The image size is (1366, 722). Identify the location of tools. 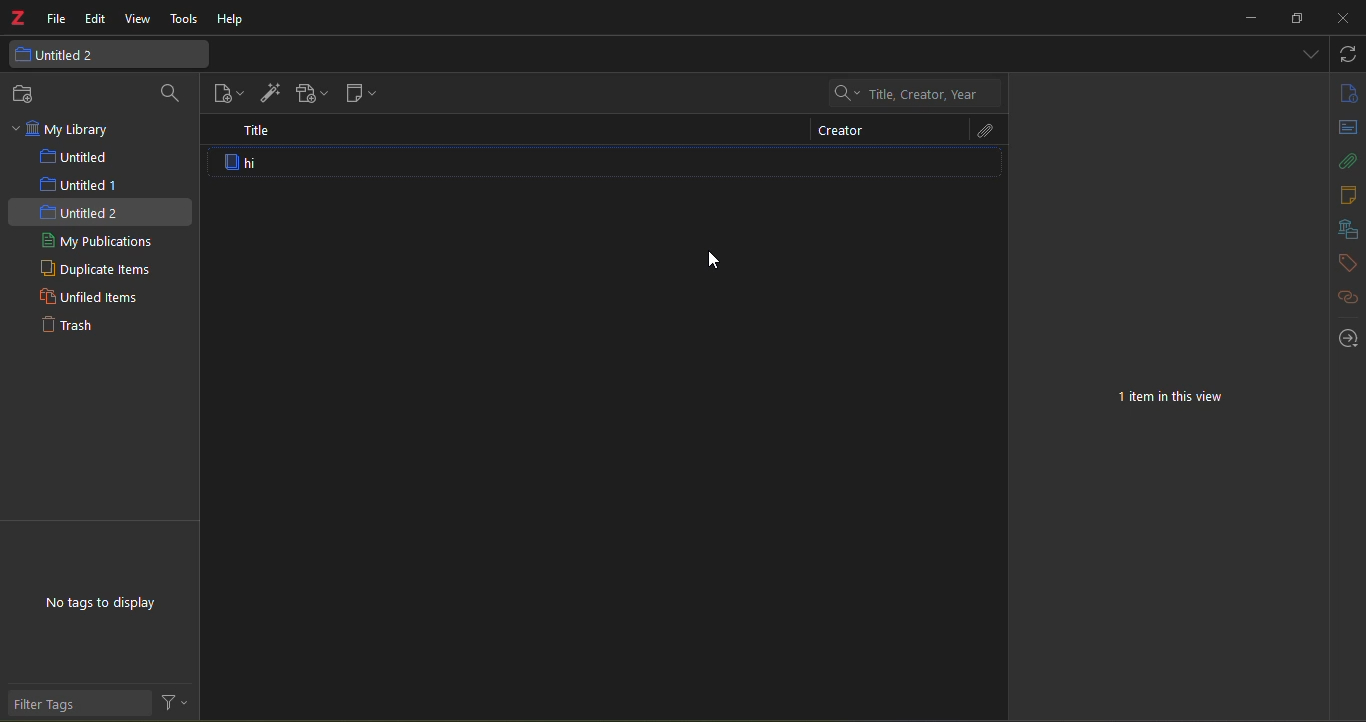
(185, 20).